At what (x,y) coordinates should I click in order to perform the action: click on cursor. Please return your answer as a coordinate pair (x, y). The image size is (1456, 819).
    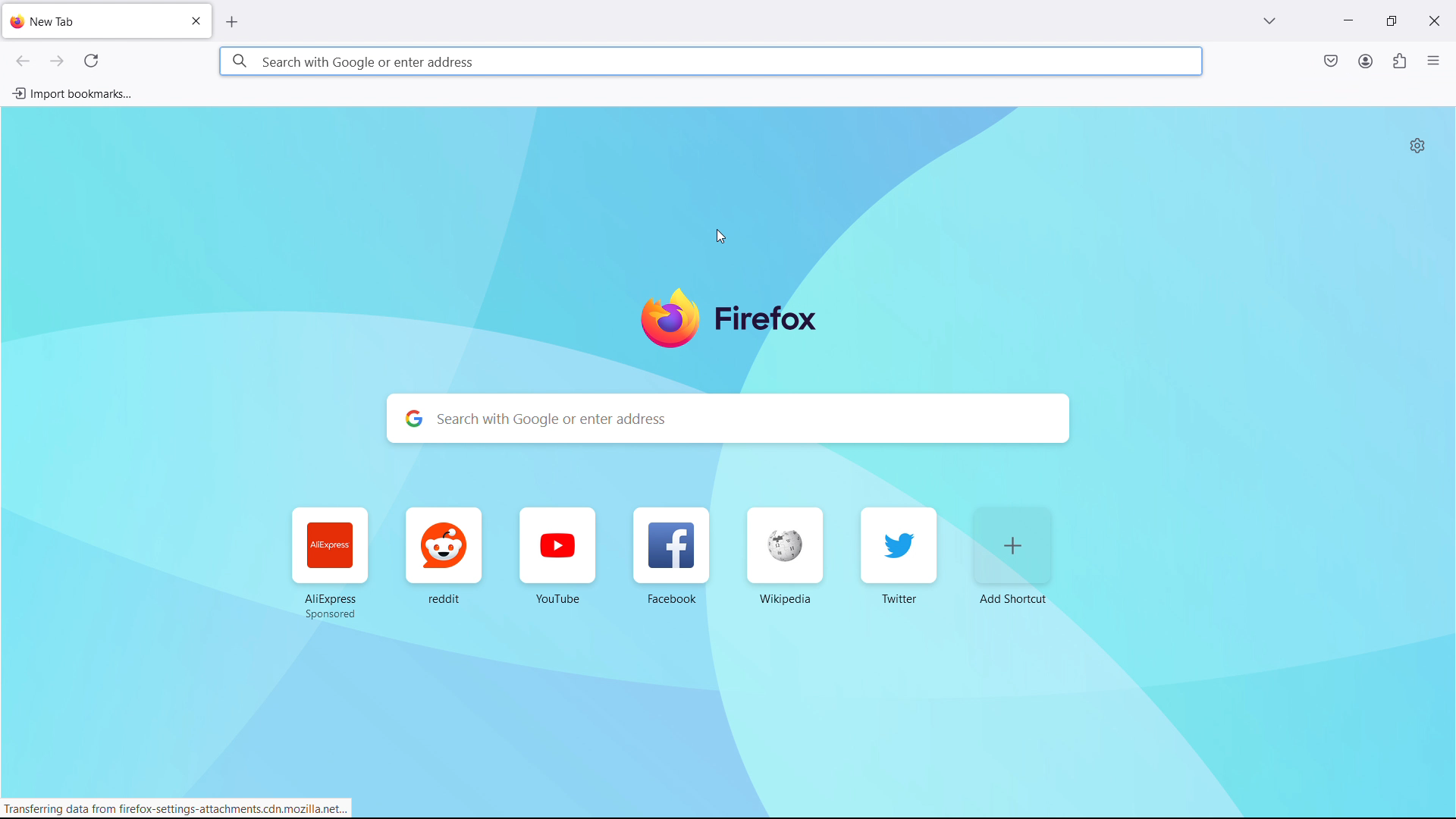
    Looking at the image, I should click on (720, 237).